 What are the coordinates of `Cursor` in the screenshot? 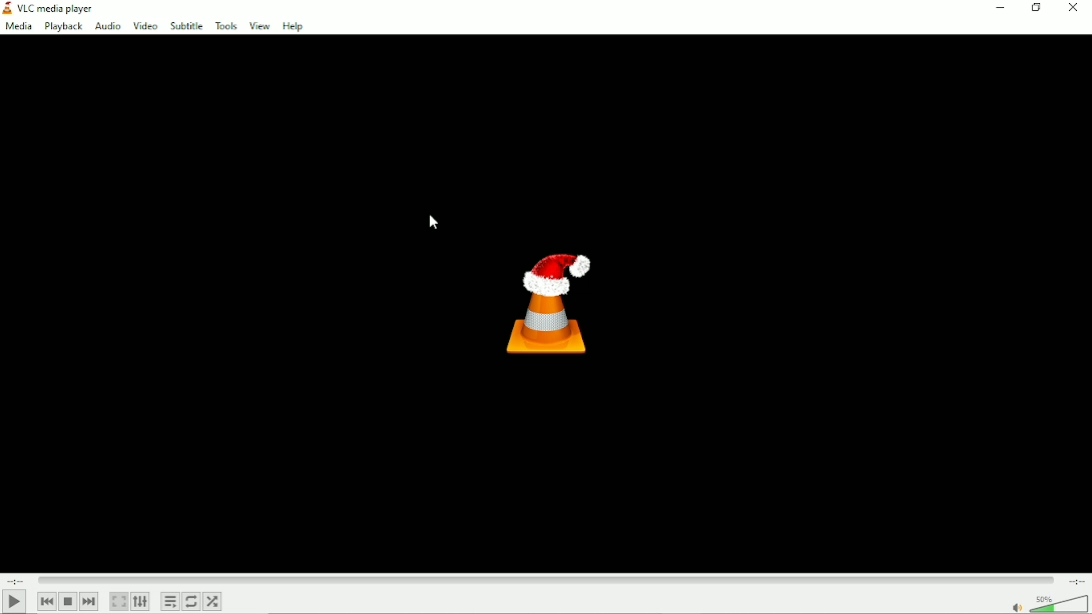 It's located at (434, 223).